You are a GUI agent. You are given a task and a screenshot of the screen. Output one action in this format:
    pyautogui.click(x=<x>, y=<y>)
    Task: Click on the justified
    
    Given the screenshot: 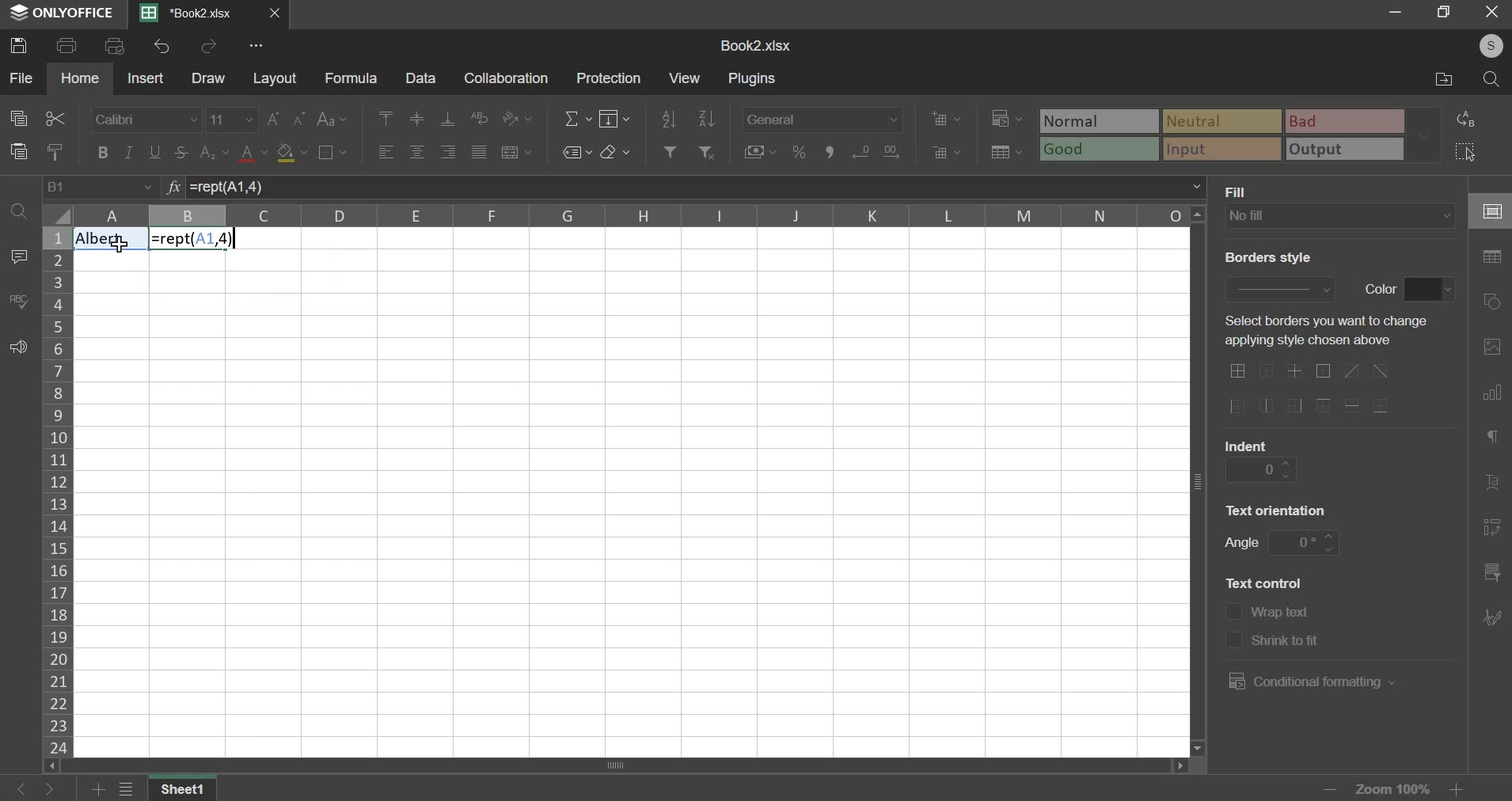 What is the action you would take?
    pyautogui.click(x=479, y=152)
    